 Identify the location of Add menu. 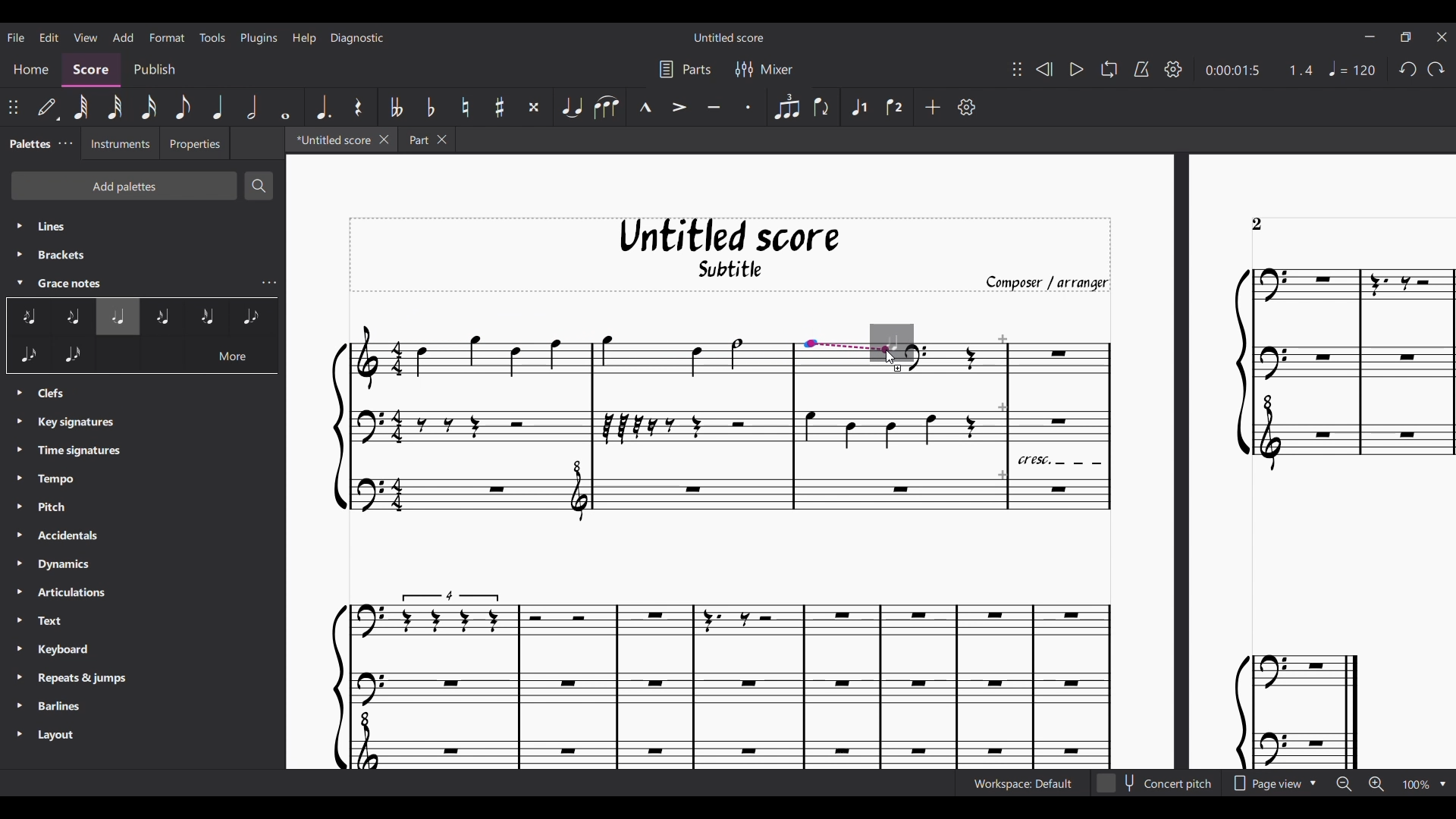
(124, 37).